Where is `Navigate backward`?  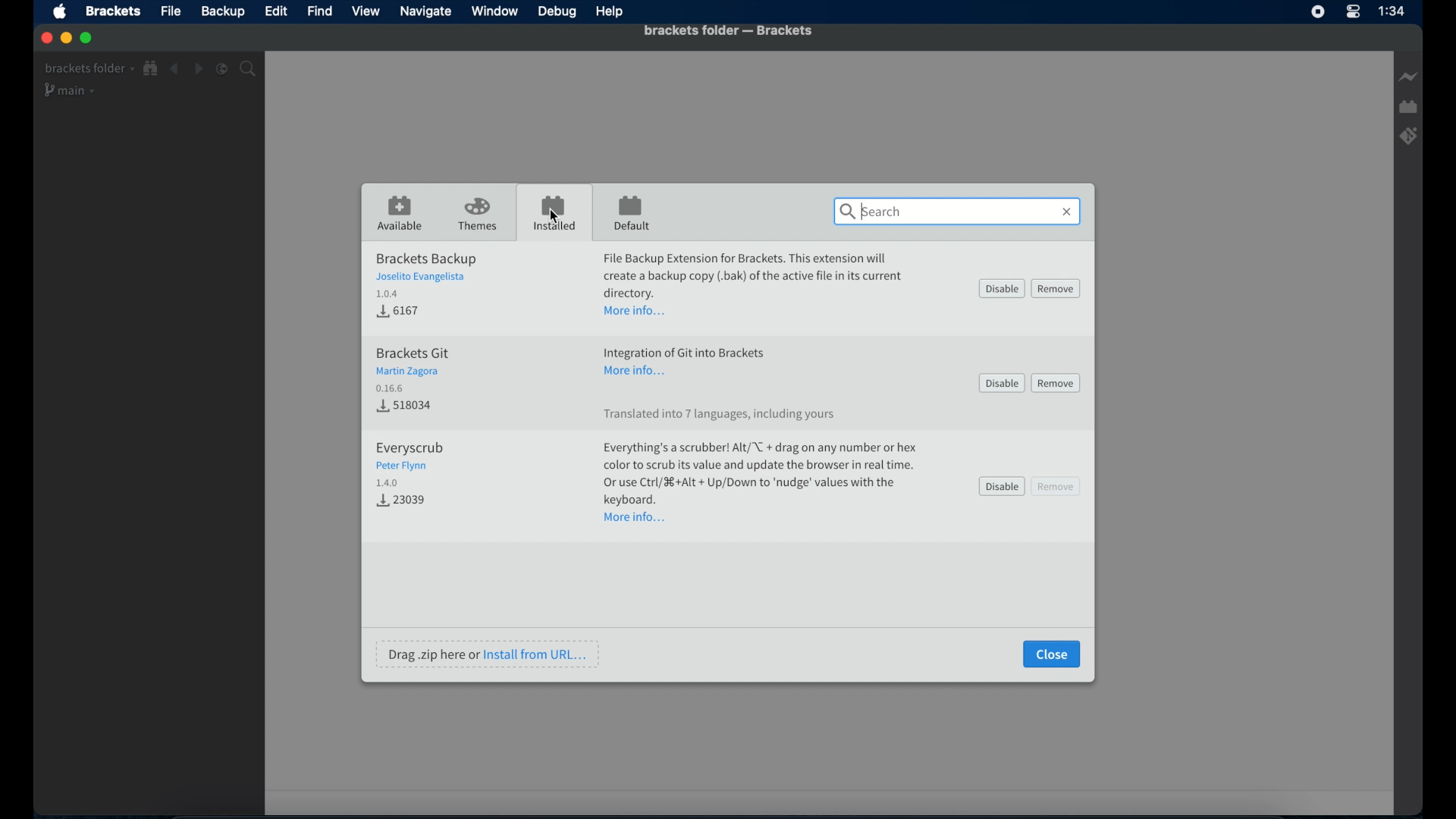 Navigate backward is located at coordinates (174, 69).